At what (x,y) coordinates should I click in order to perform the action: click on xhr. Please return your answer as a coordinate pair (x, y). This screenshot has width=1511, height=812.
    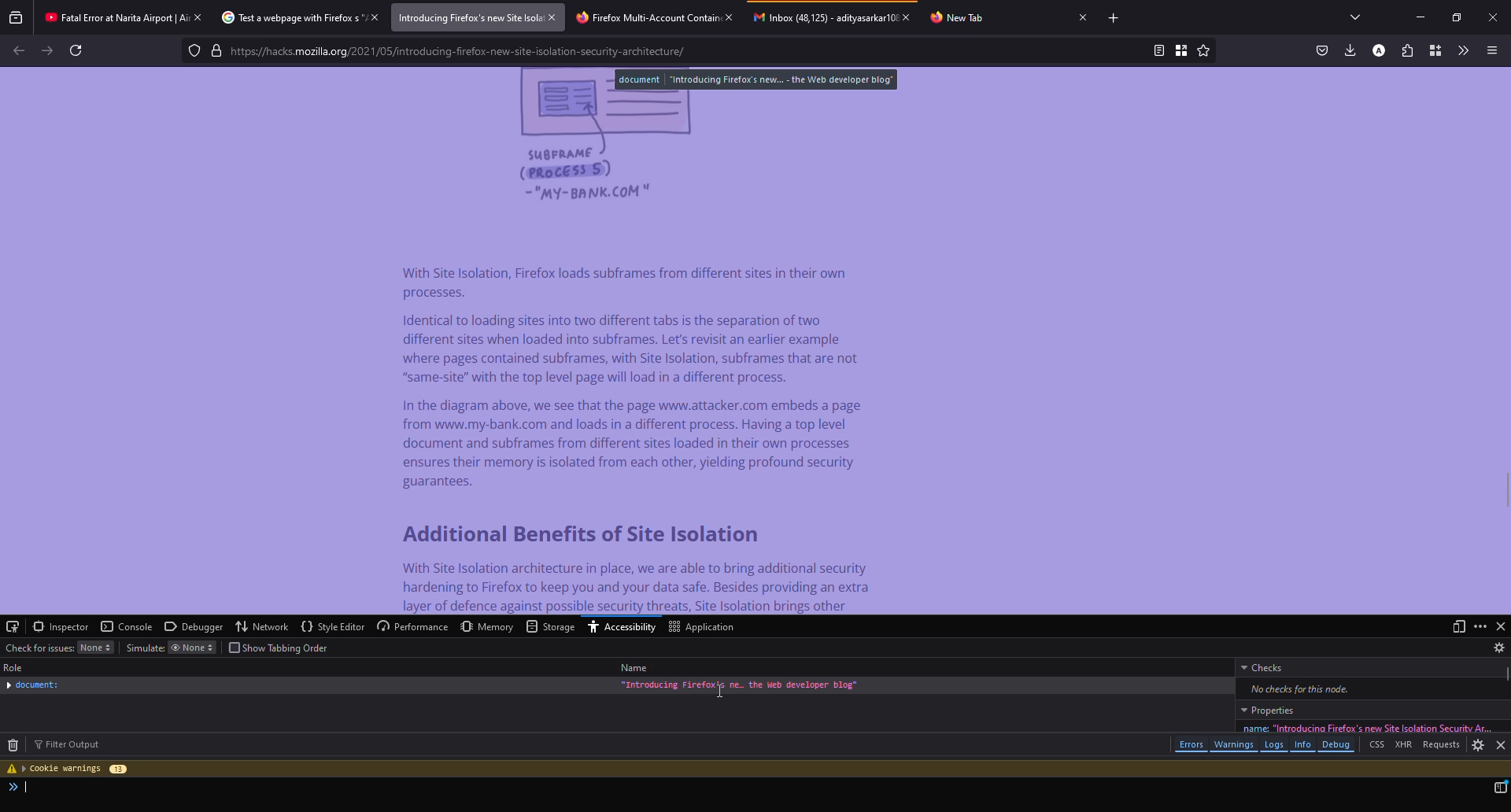
    Looking at the image, I should click on (1402, 747).